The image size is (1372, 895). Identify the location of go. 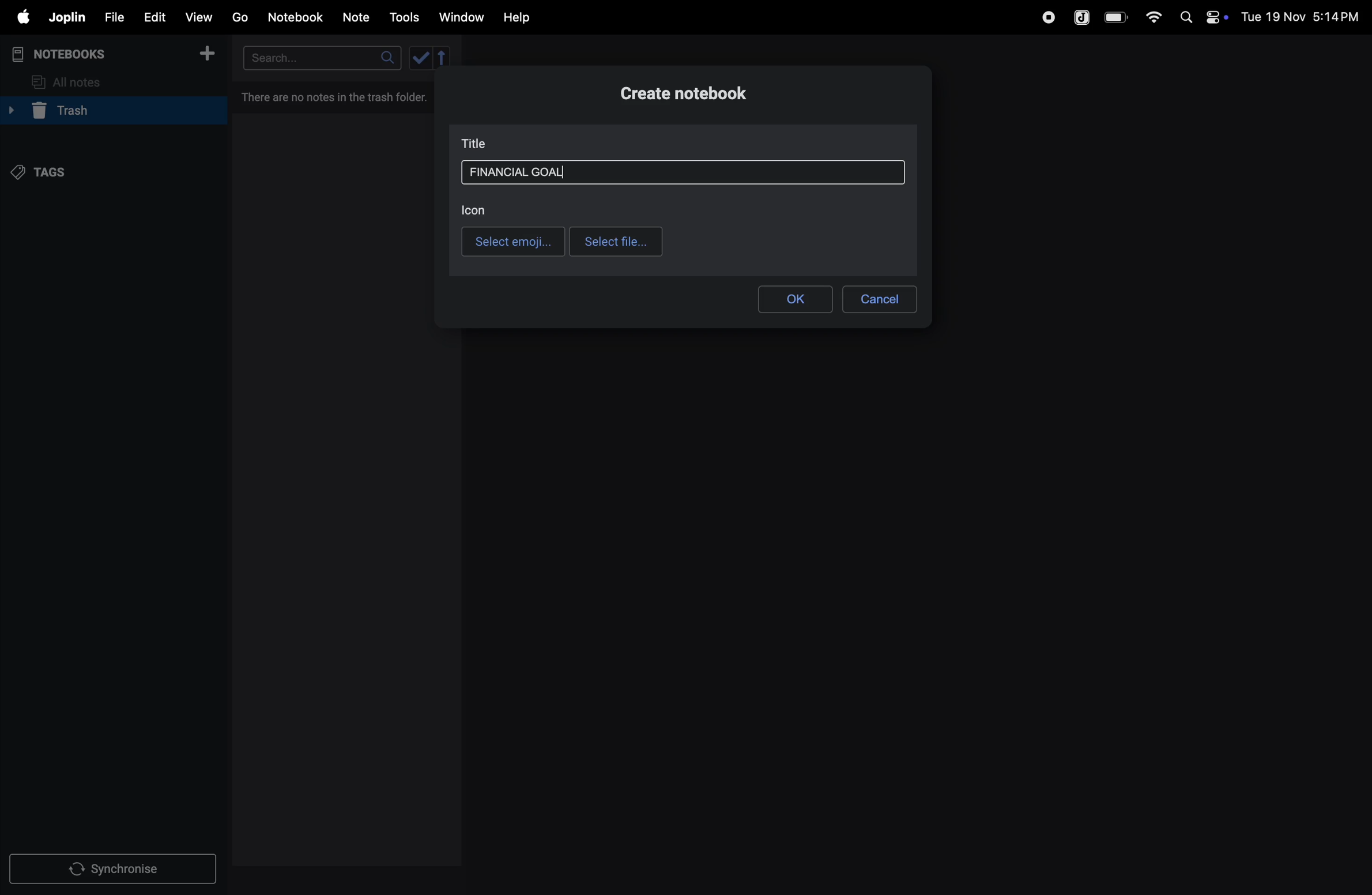
(240, 16).